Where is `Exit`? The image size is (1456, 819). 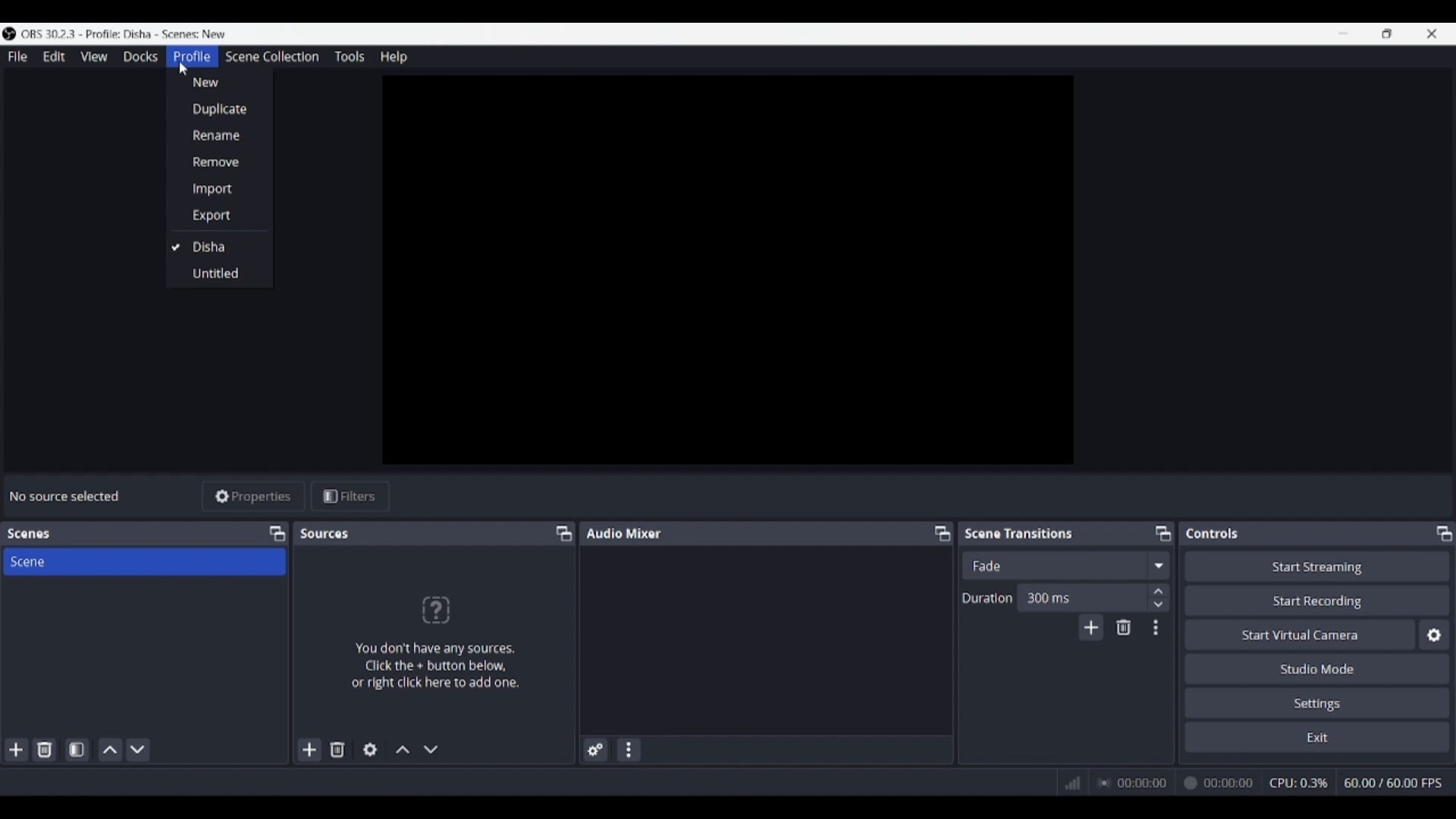 Exit is located at coordinates (1317, 736).